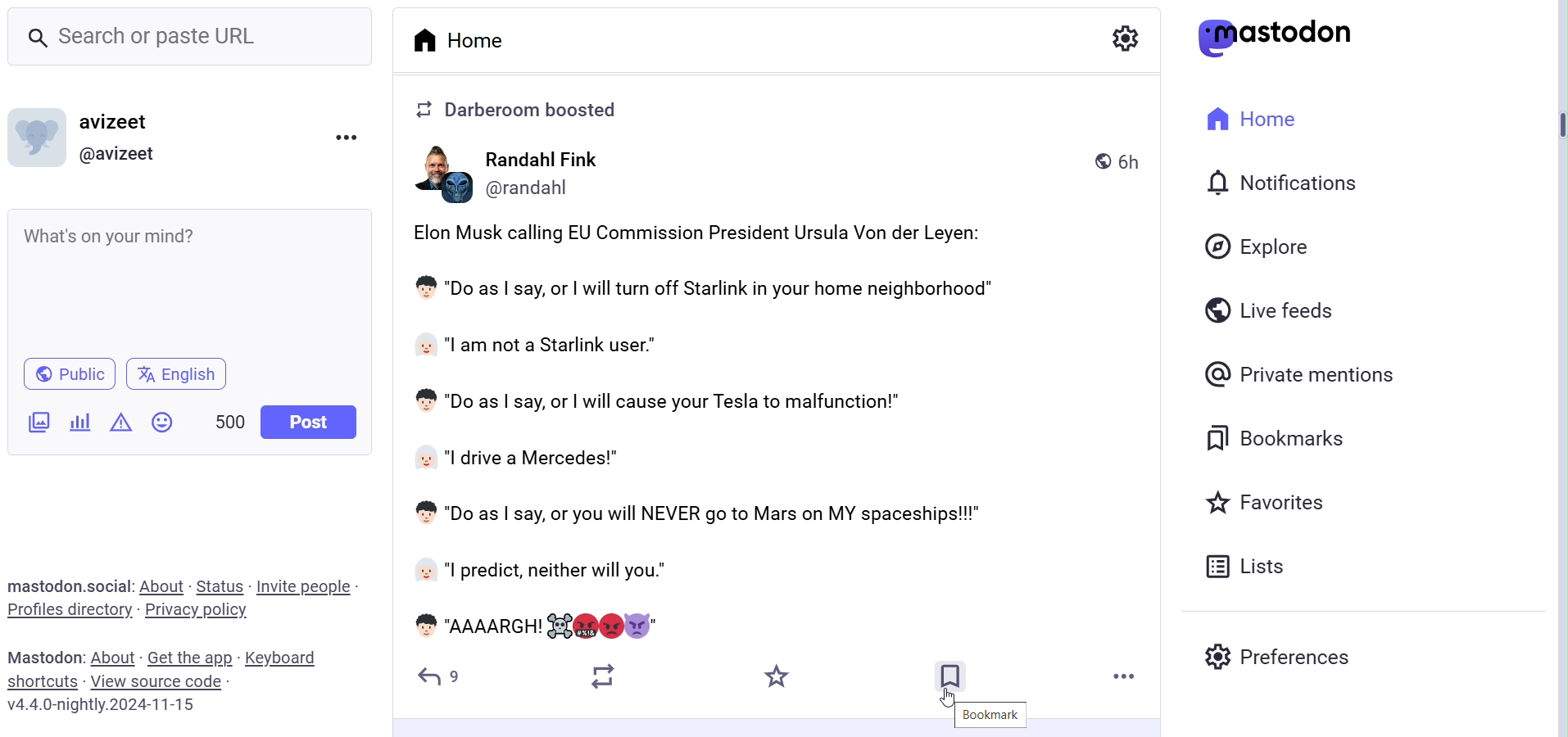  I want to click on Bookmark, so click(953, 676).